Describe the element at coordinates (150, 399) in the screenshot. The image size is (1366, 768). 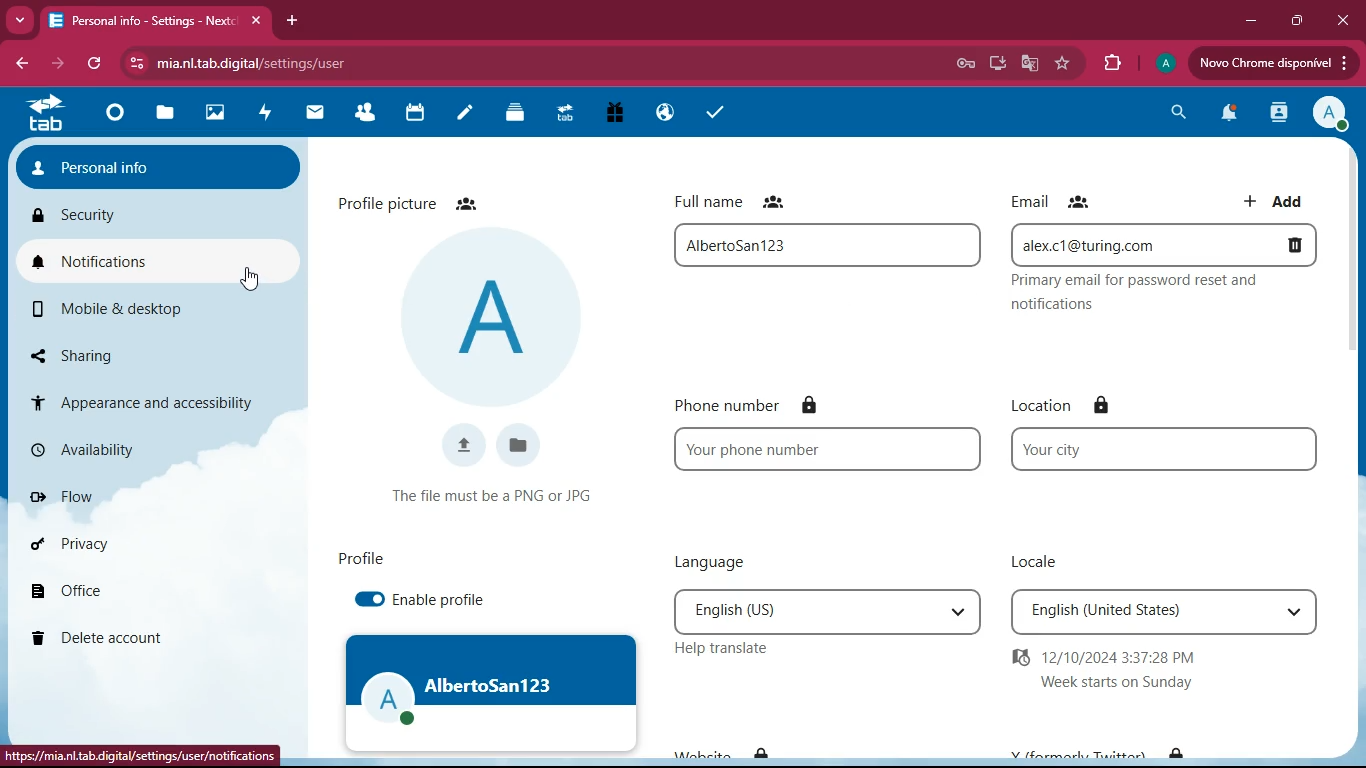
I see `appearance` at that location.